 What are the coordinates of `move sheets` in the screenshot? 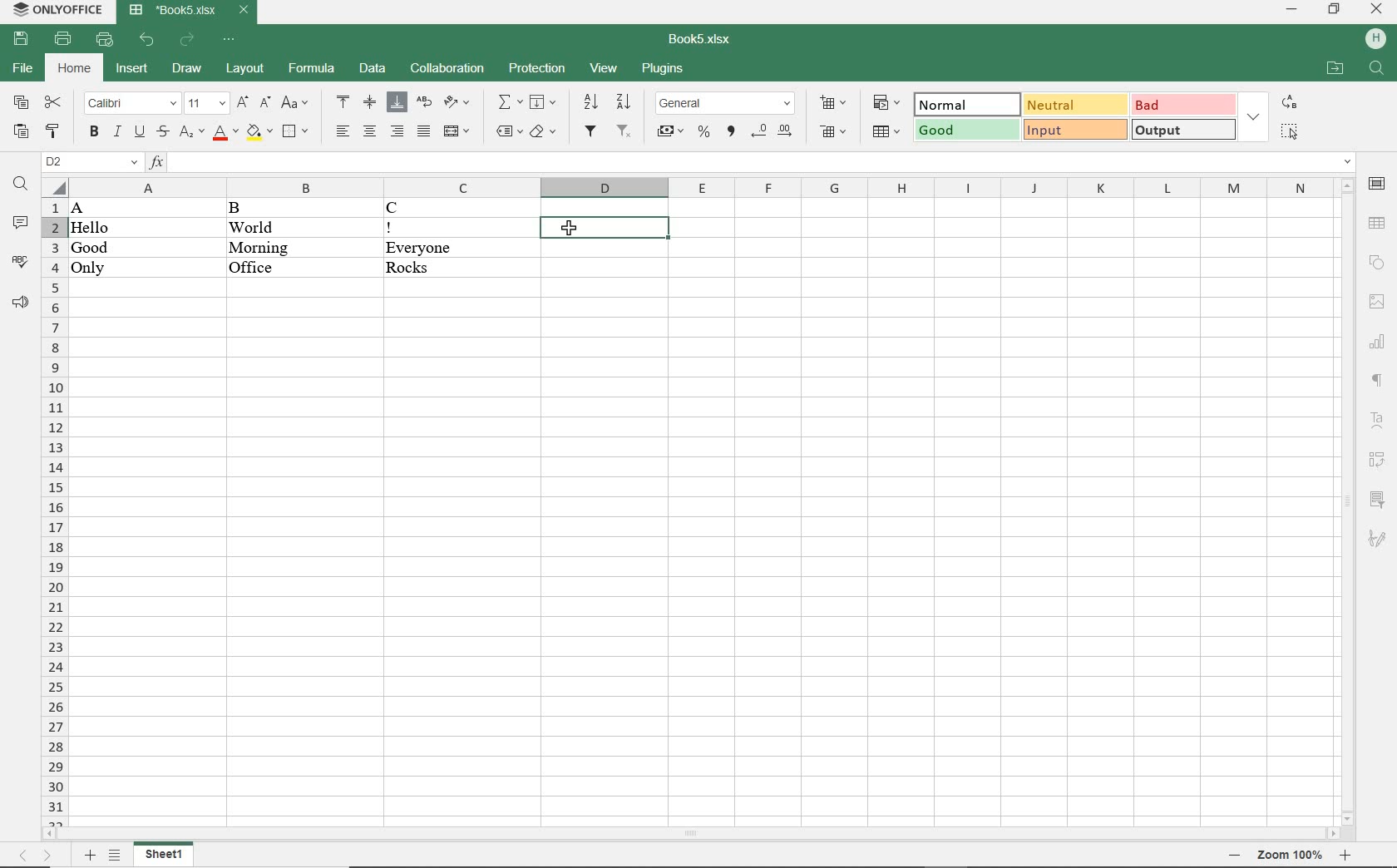 It's located at (39, 854).